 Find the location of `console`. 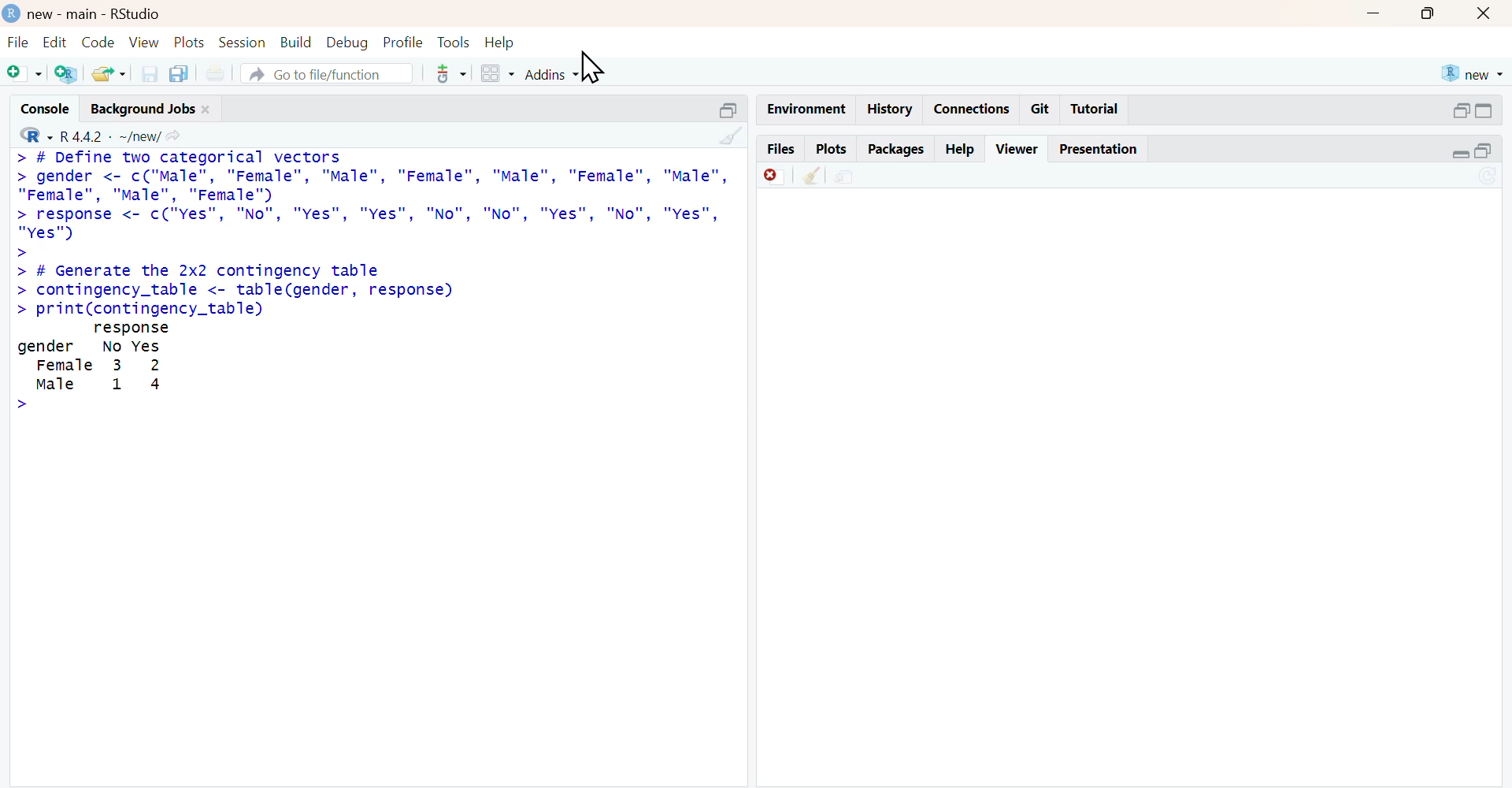

console is located at coordinates (46, 109).